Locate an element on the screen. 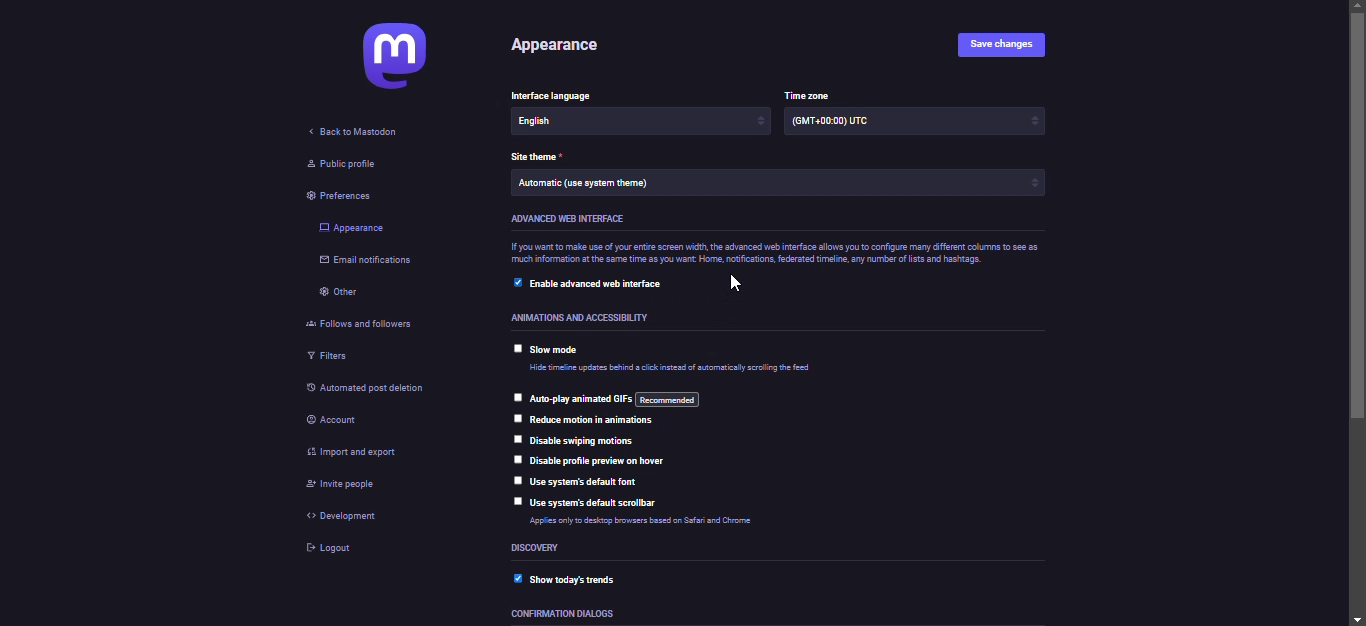 The width and height of the screenshot is (1366, 626). click to select is located at coordinates (517, 440).